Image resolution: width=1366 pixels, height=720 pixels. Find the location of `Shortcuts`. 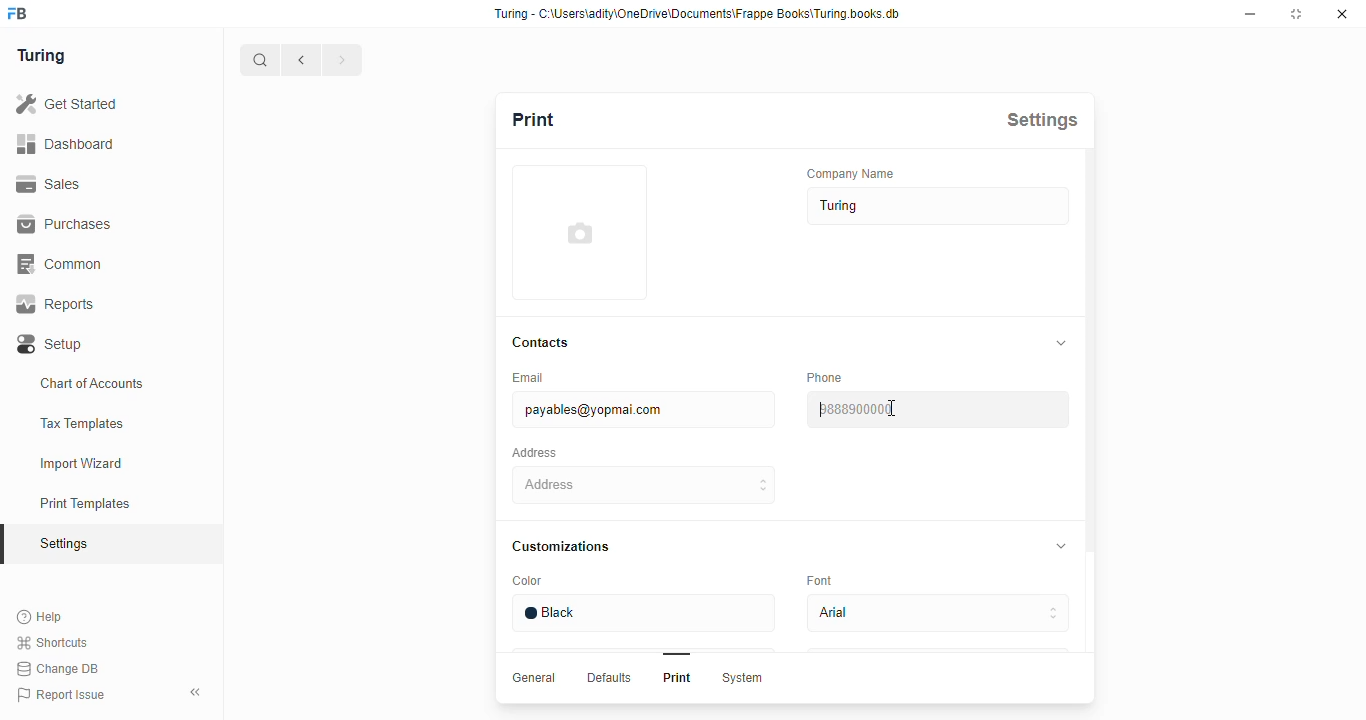

Shortcuts is located at coordinates (57, 642).